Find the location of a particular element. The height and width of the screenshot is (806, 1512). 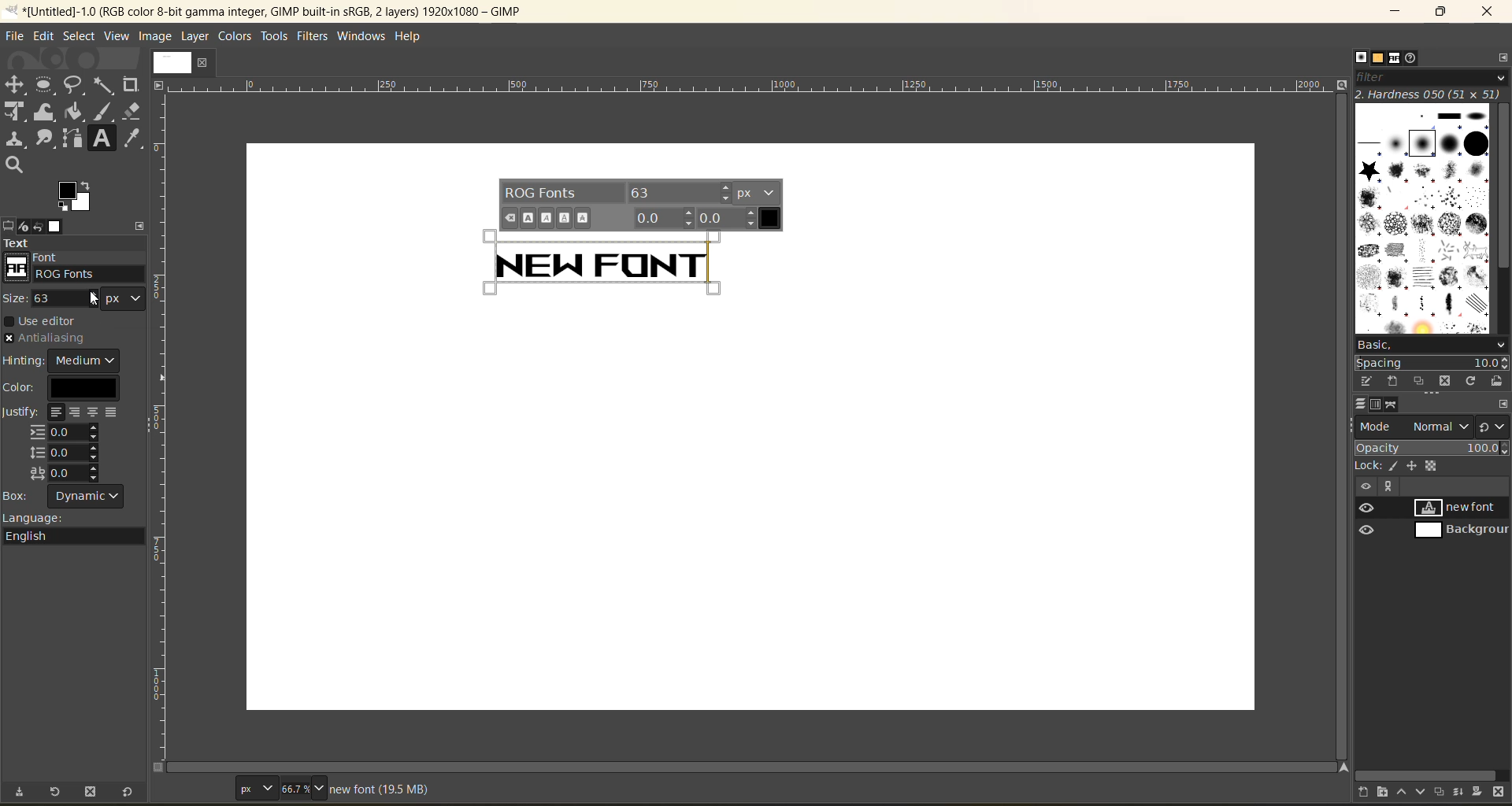

merge this layer is located at coordinates (1464, 793).